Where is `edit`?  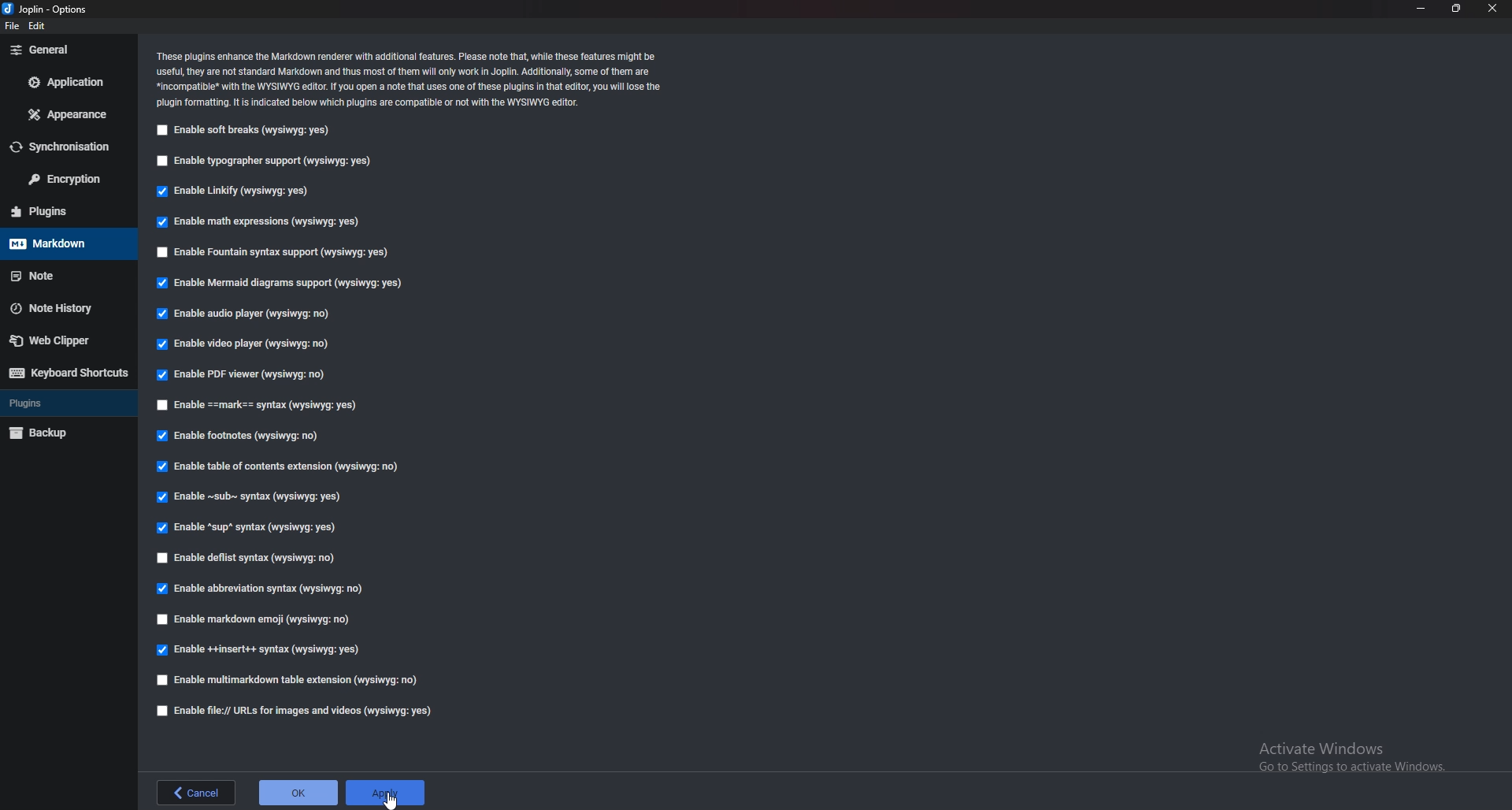 edit is located at coordinates (38, 25).